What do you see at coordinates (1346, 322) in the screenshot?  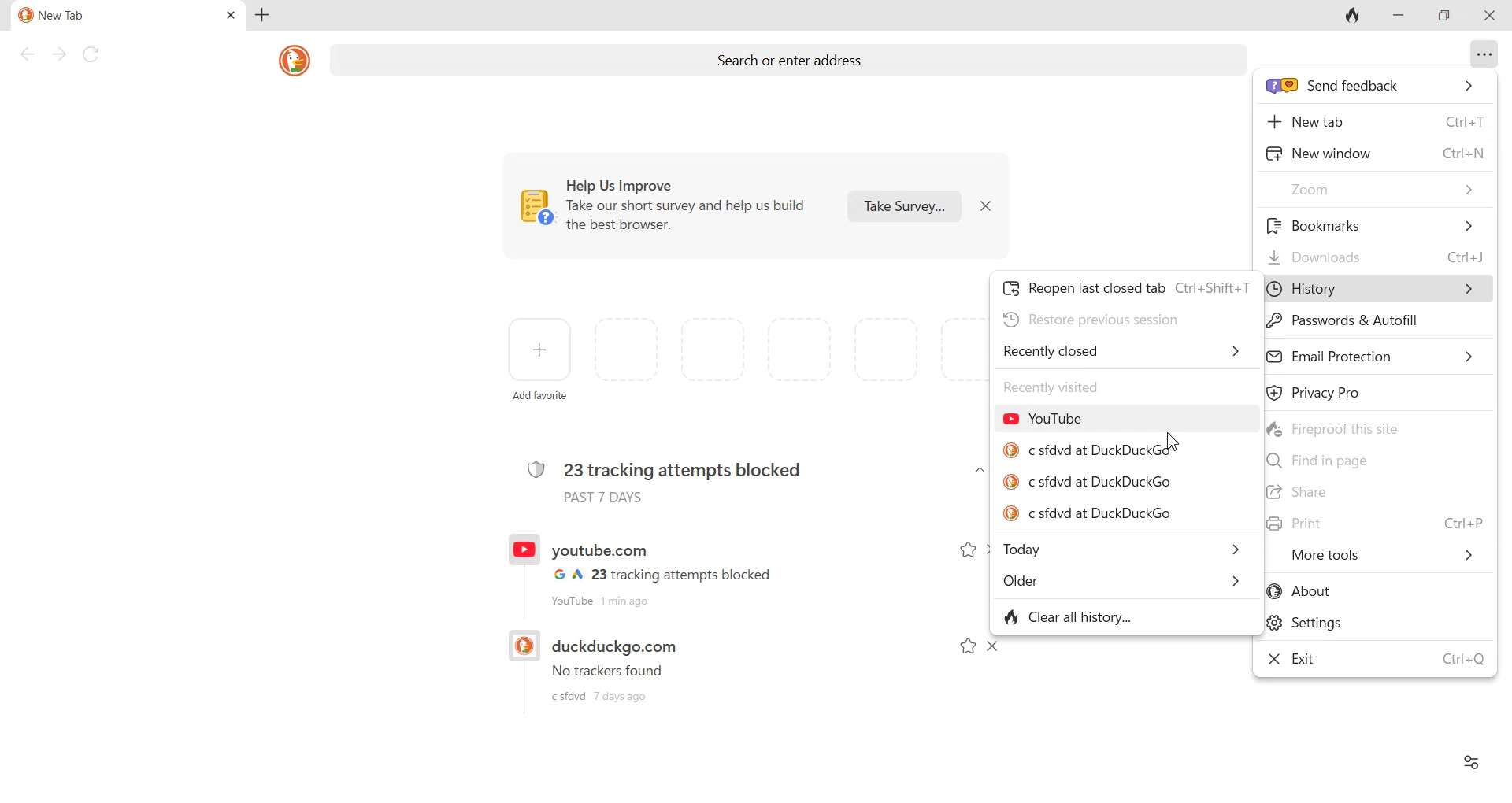 I see `Password & Autofill` at bounding box center [1346, 322].